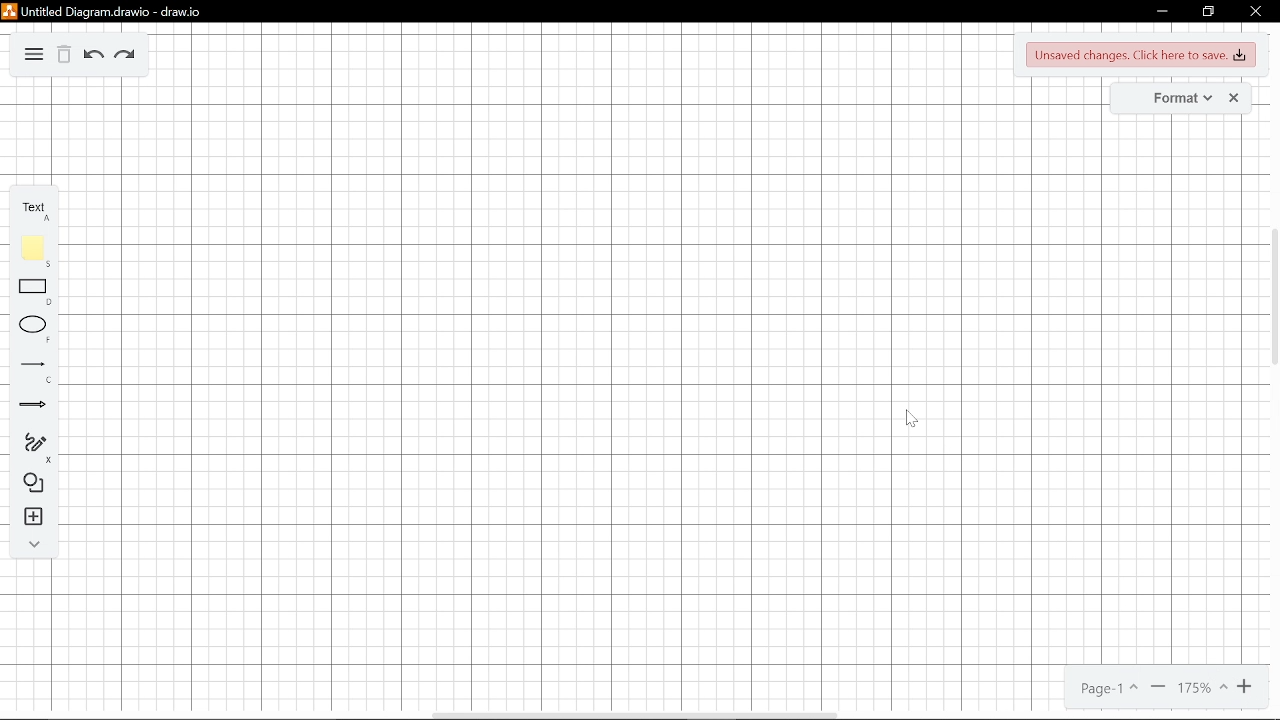 The image size is (1280, 720). I want to click on collapse, so click(27, 545).